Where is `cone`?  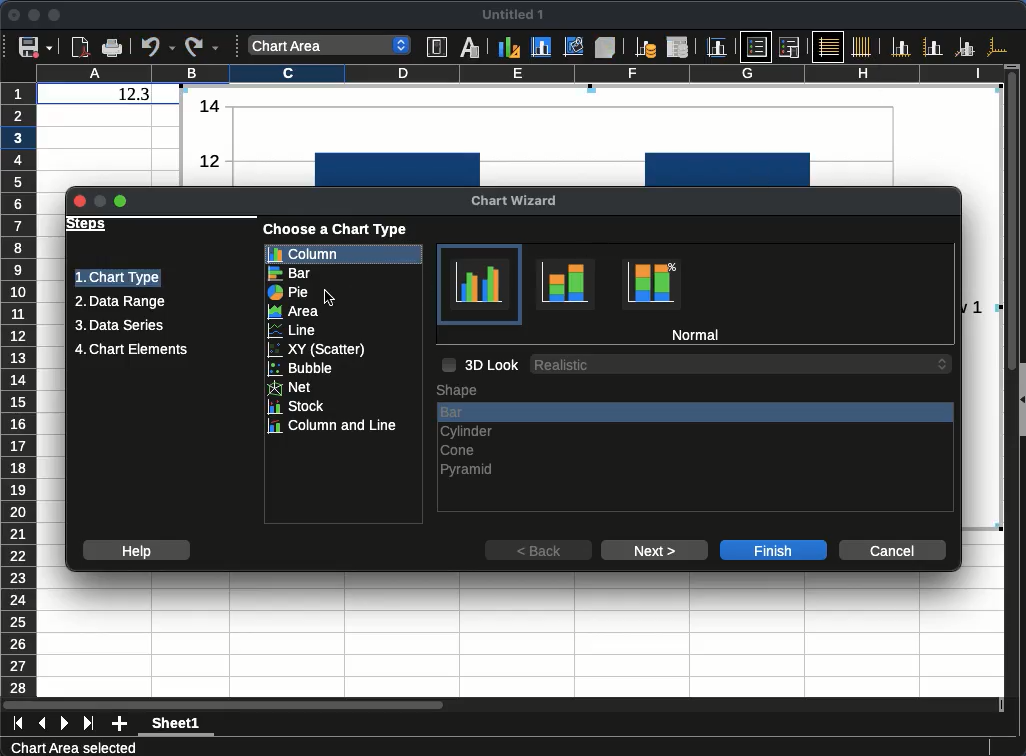
cone is located at coordinates (467, 450).